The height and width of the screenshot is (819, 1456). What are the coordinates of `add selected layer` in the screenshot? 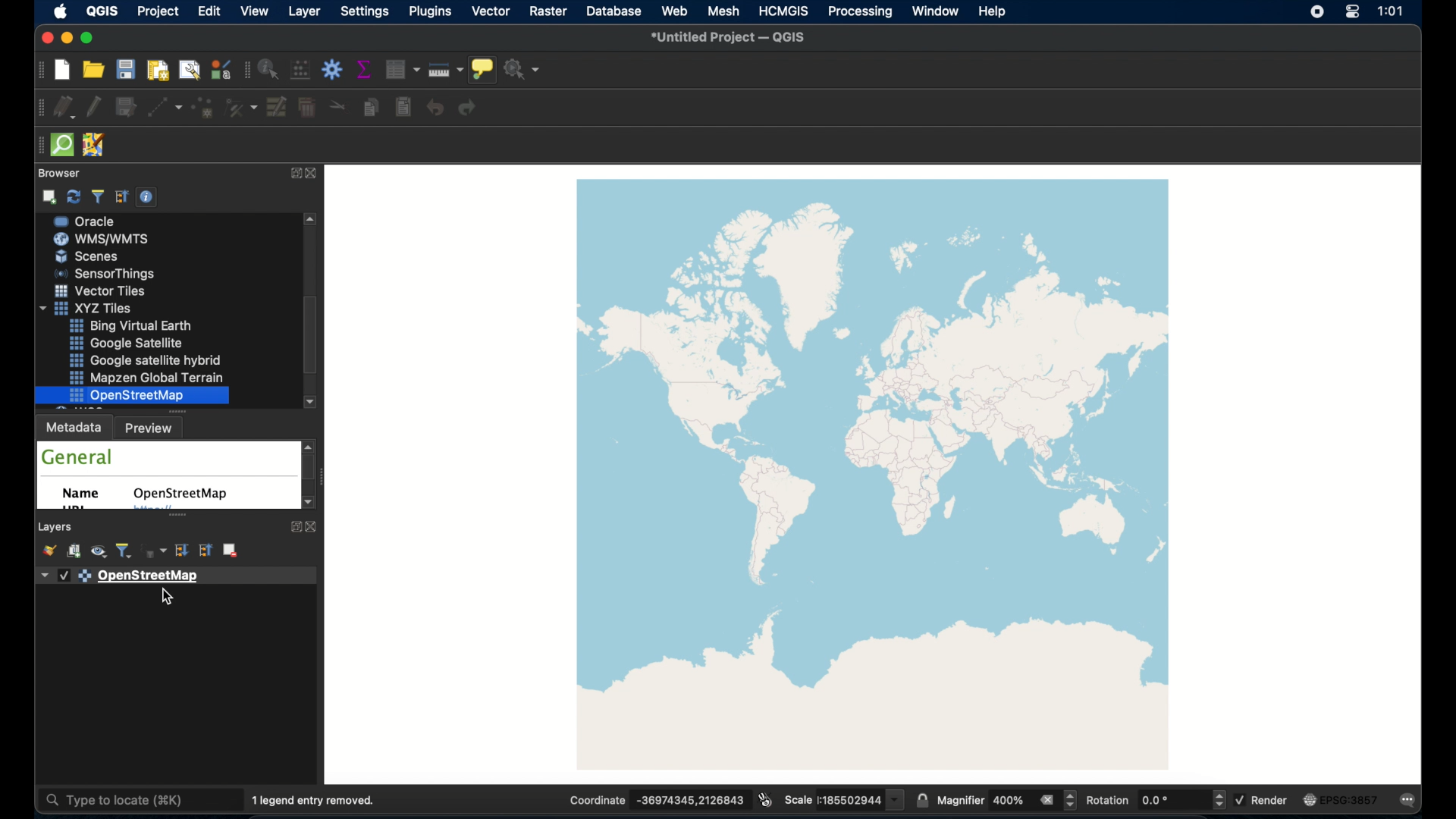 It's located at (50, 197).